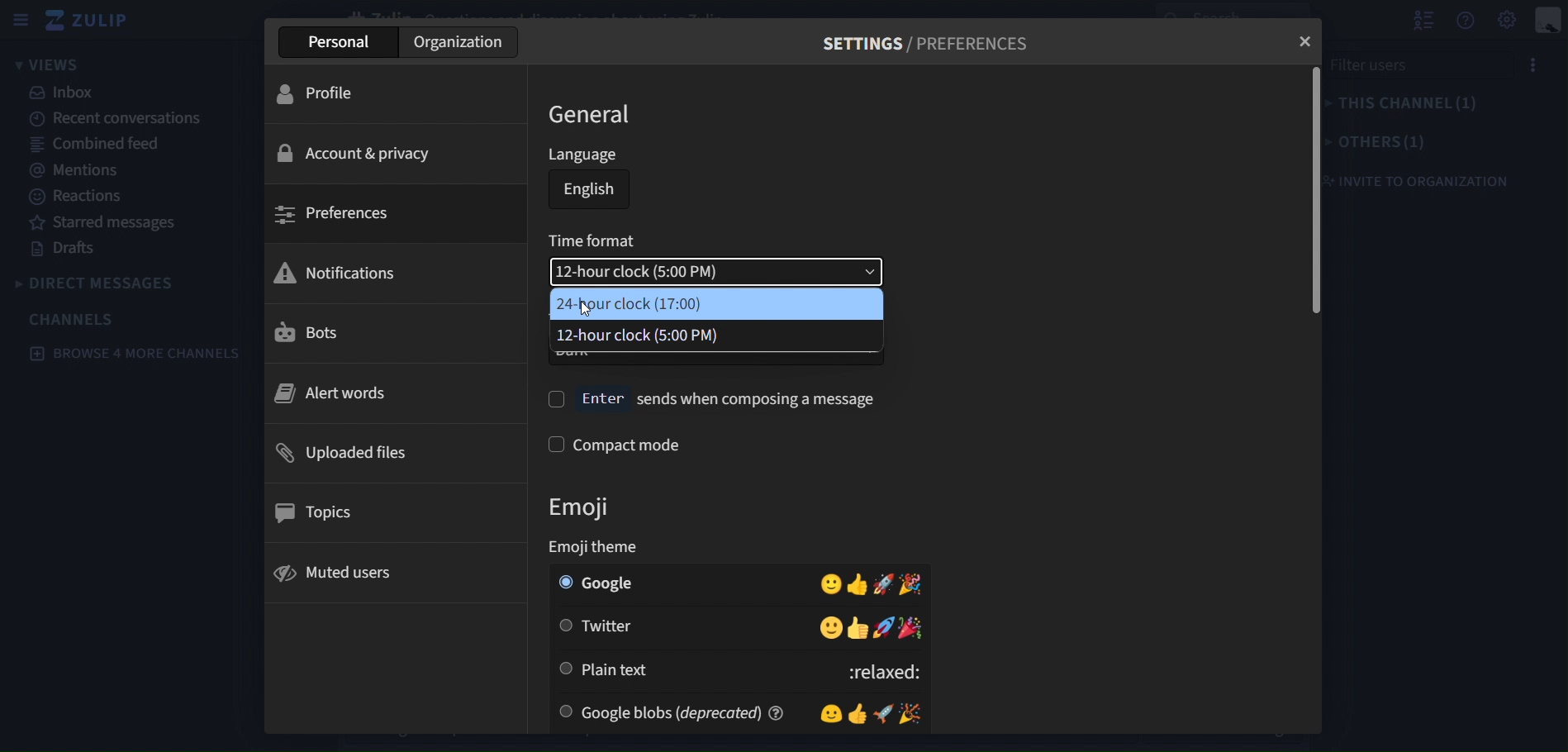  I want to click on alert words, so click(392, 394).